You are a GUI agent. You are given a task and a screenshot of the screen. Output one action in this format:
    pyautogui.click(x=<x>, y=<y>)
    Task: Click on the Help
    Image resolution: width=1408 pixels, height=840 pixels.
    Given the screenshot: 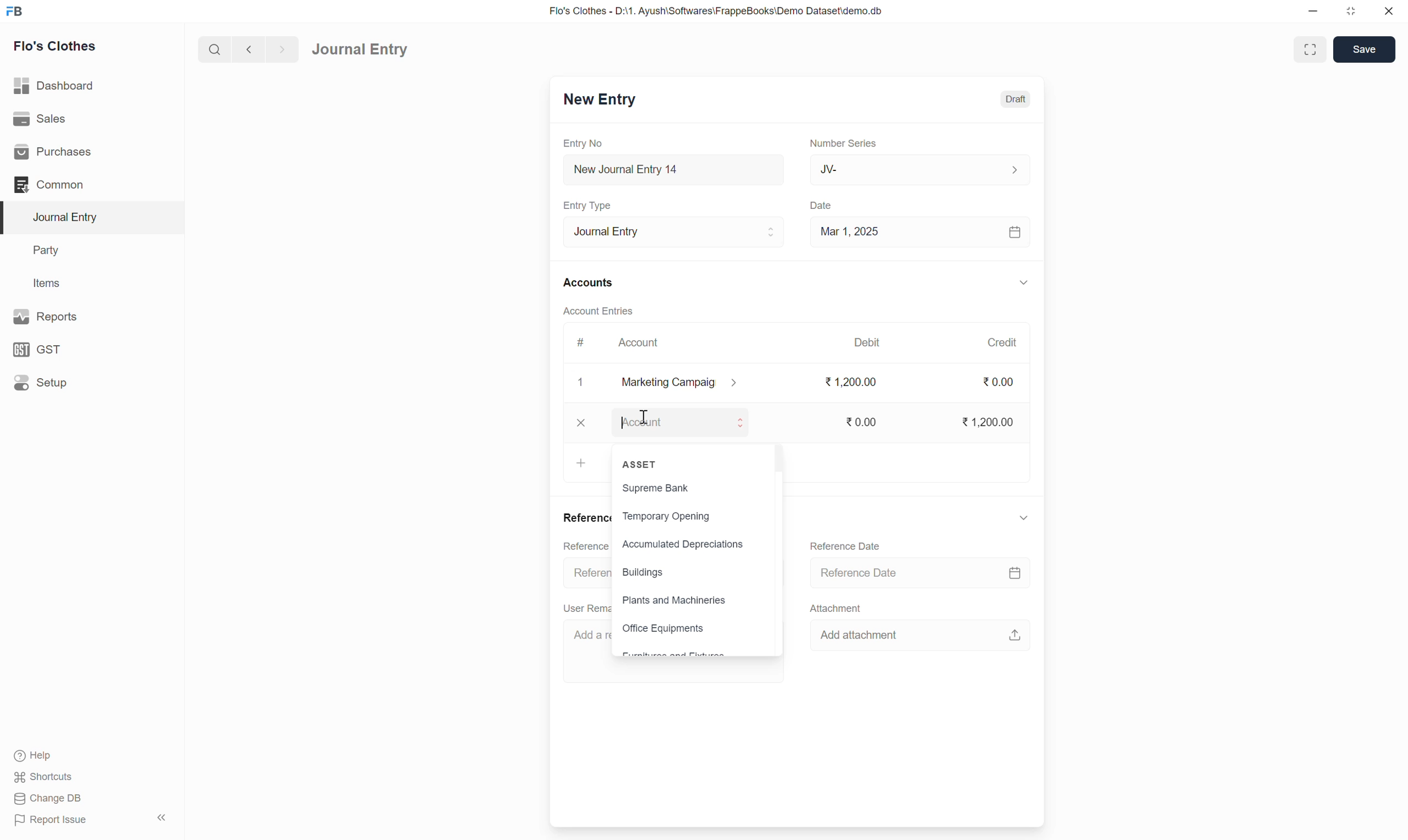 What is the action you would take?
    pyautogui.click(x=36, y=756)
    